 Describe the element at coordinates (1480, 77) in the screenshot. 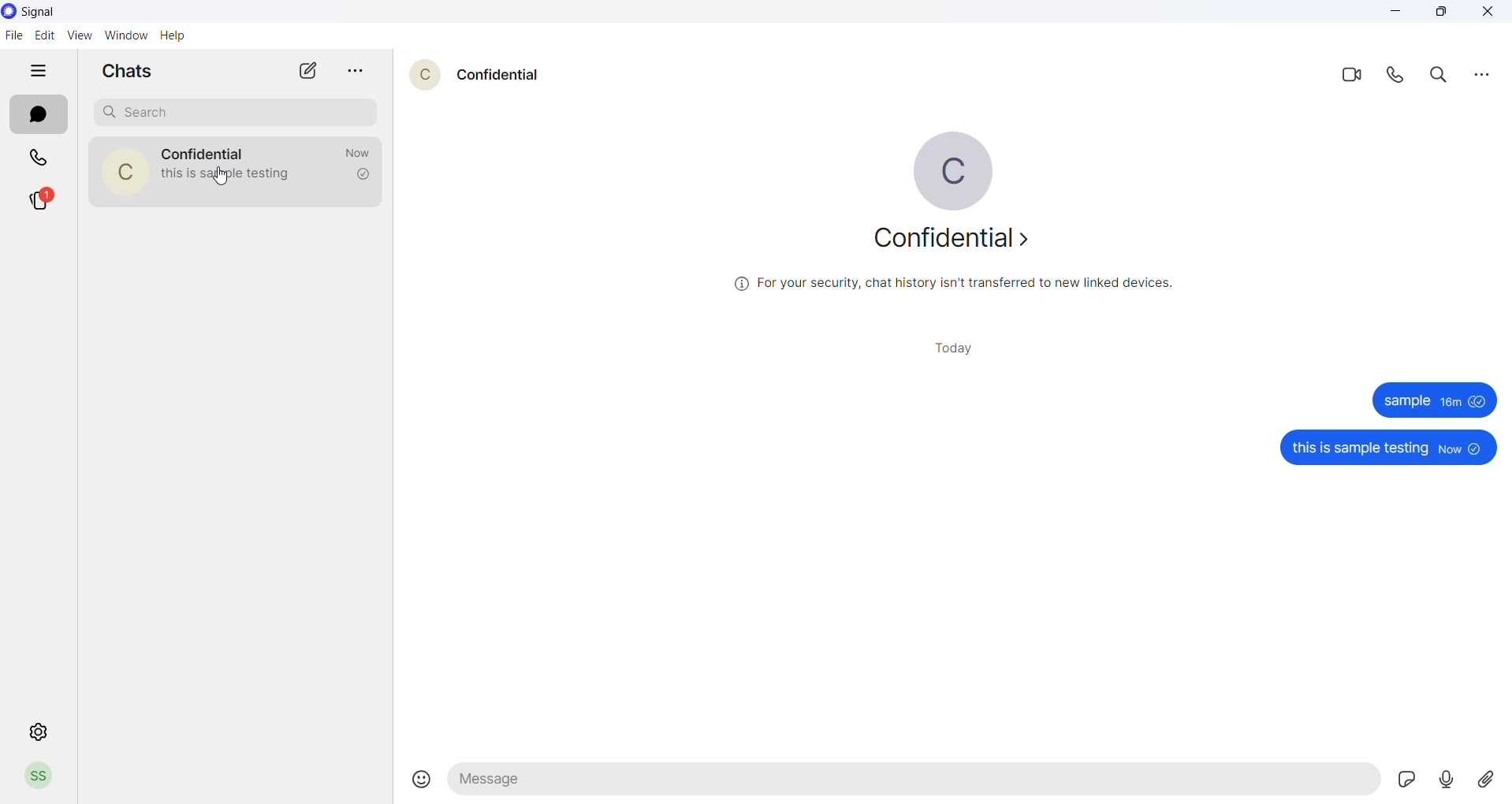

I see `options` at that location.